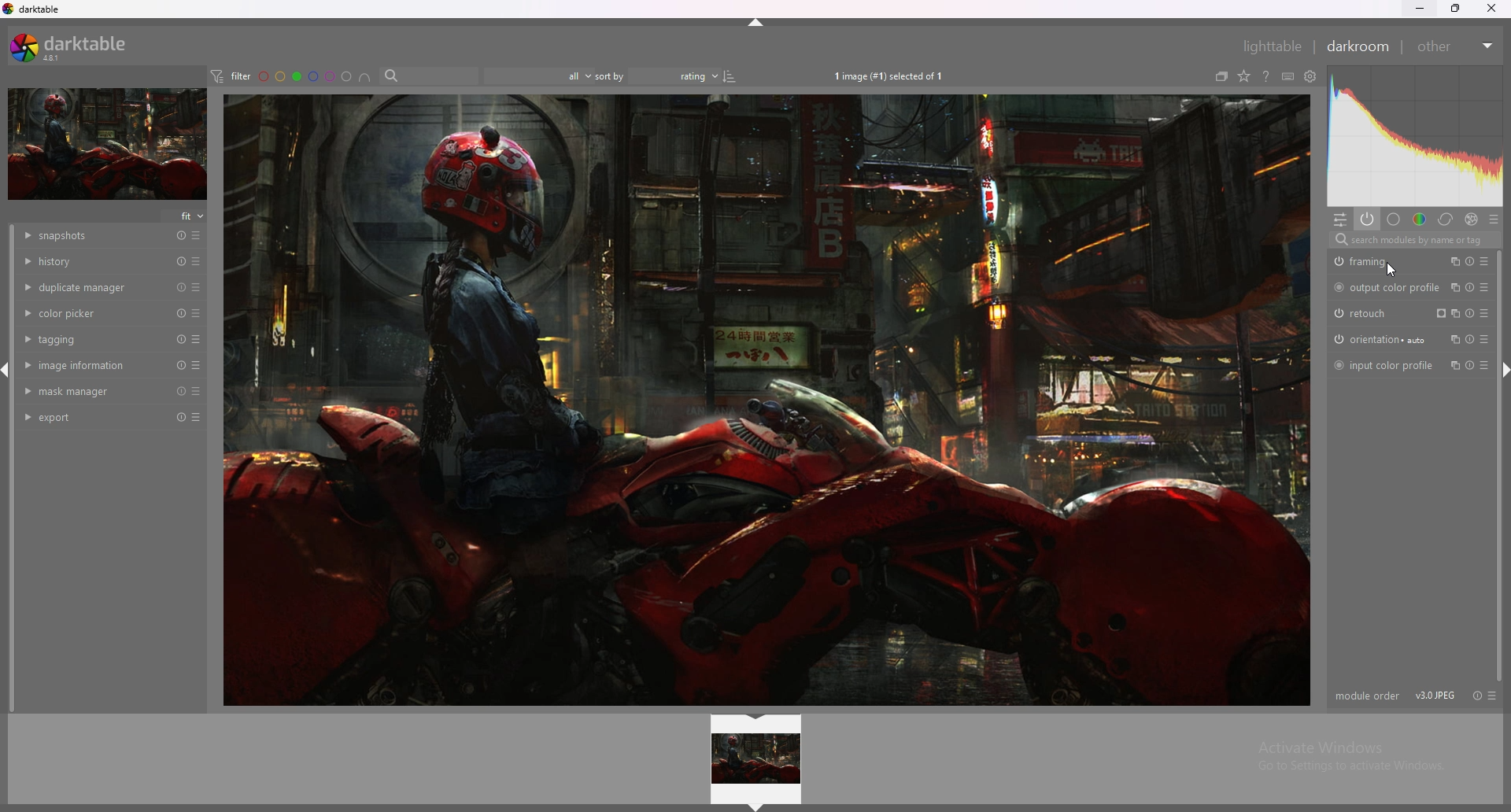 Image resolution: width=1511 pixels, height=812 pixels. Describe the element at coordinates (1365, 219) in the screenshot. I see `show active modules` at that location.